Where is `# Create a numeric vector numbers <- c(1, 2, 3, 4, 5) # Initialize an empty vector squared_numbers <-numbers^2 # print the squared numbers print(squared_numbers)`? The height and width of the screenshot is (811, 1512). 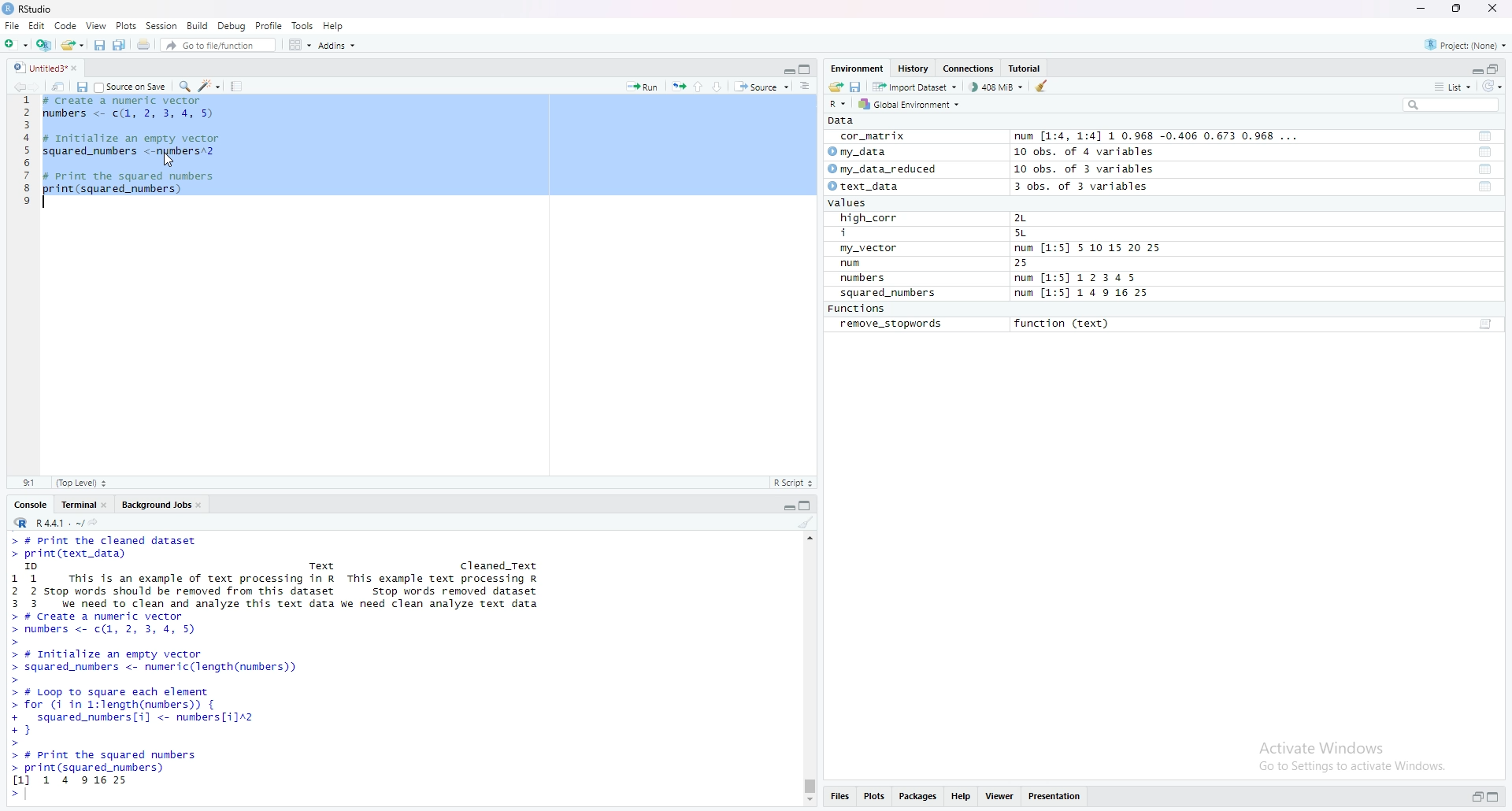 # Create a numeric vector numbers <- c(1, 2, 3, 4, 5) # Initialize an empty vector squared_numbers <-numbers^2 # print the squared numbers print(squared_numbers) is located at coordinates (136, 154).